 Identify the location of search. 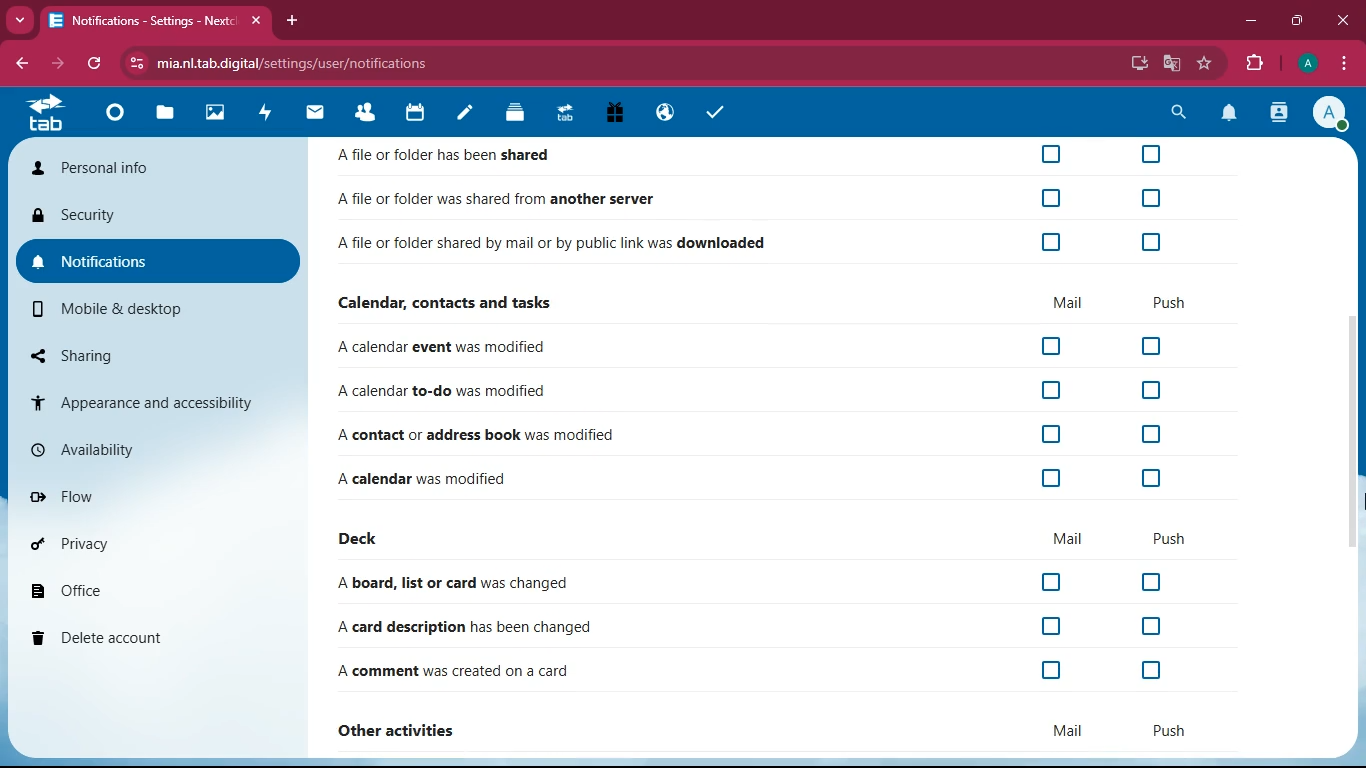
(1178, 111).